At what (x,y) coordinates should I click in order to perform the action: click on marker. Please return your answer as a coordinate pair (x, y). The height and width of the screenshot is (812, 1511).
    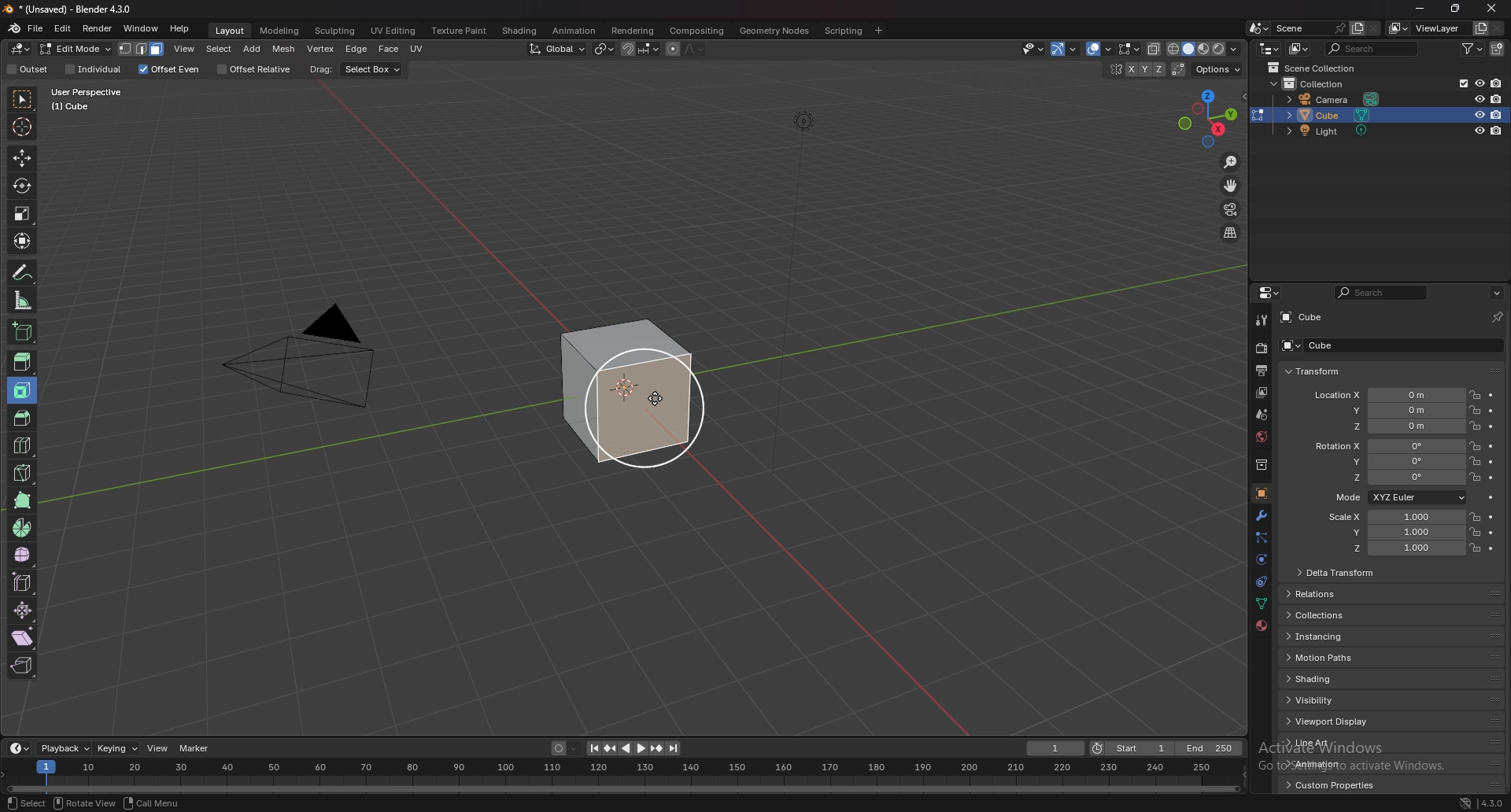
    Looking at the image, I should click on (195, 747).